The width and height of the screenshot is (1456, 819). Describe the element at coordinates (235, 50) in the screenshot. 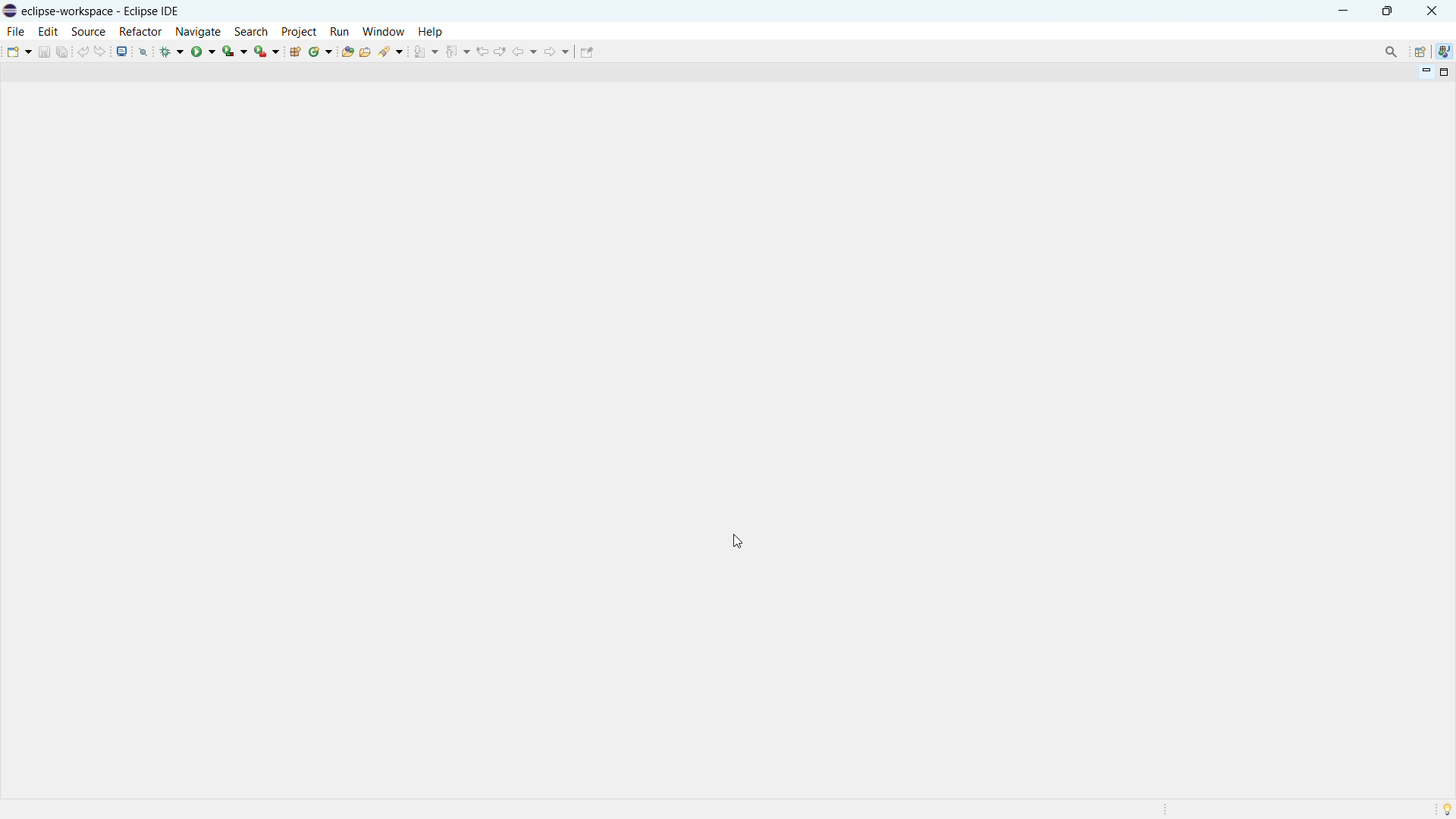

I see `coverage` at that location.